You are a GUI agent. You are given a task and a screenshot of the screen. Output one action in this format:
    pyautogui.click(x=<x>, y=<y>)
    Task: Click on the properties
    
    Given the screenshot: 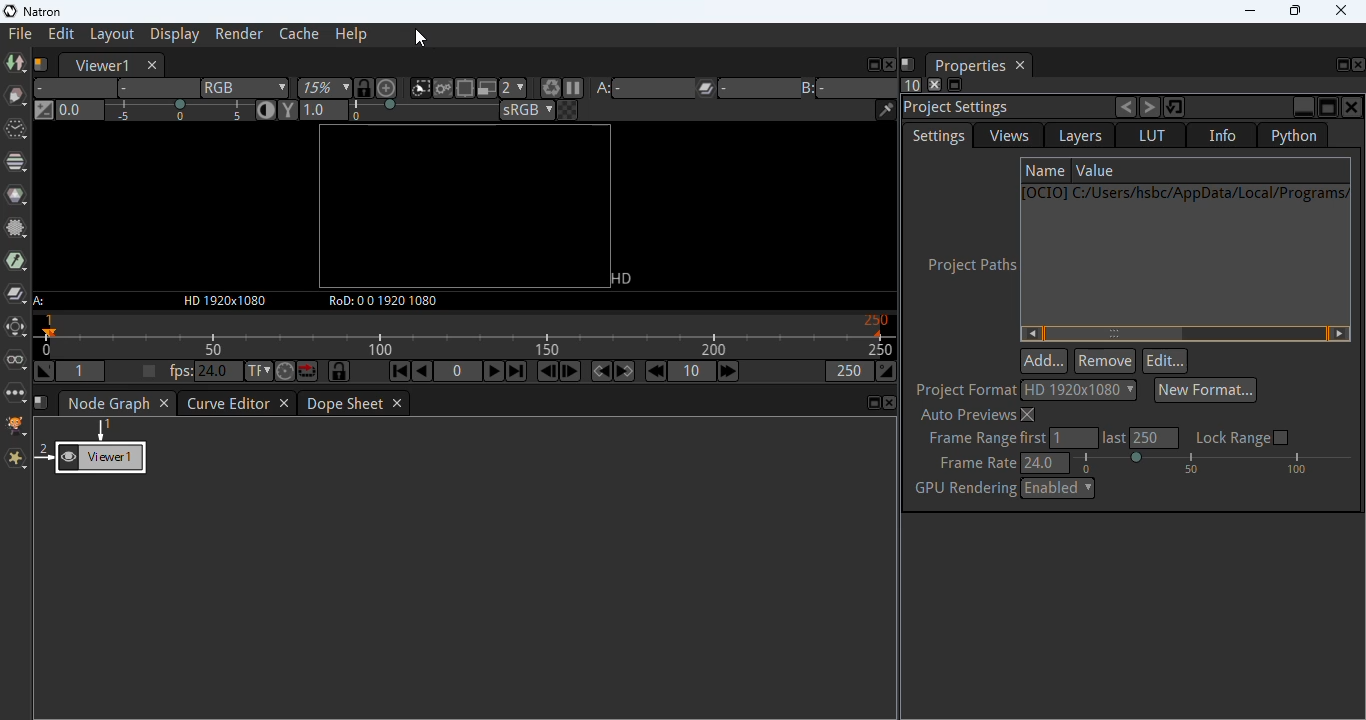 What is the action you would take?
    pyautogui.click(x=969, y=65)
    